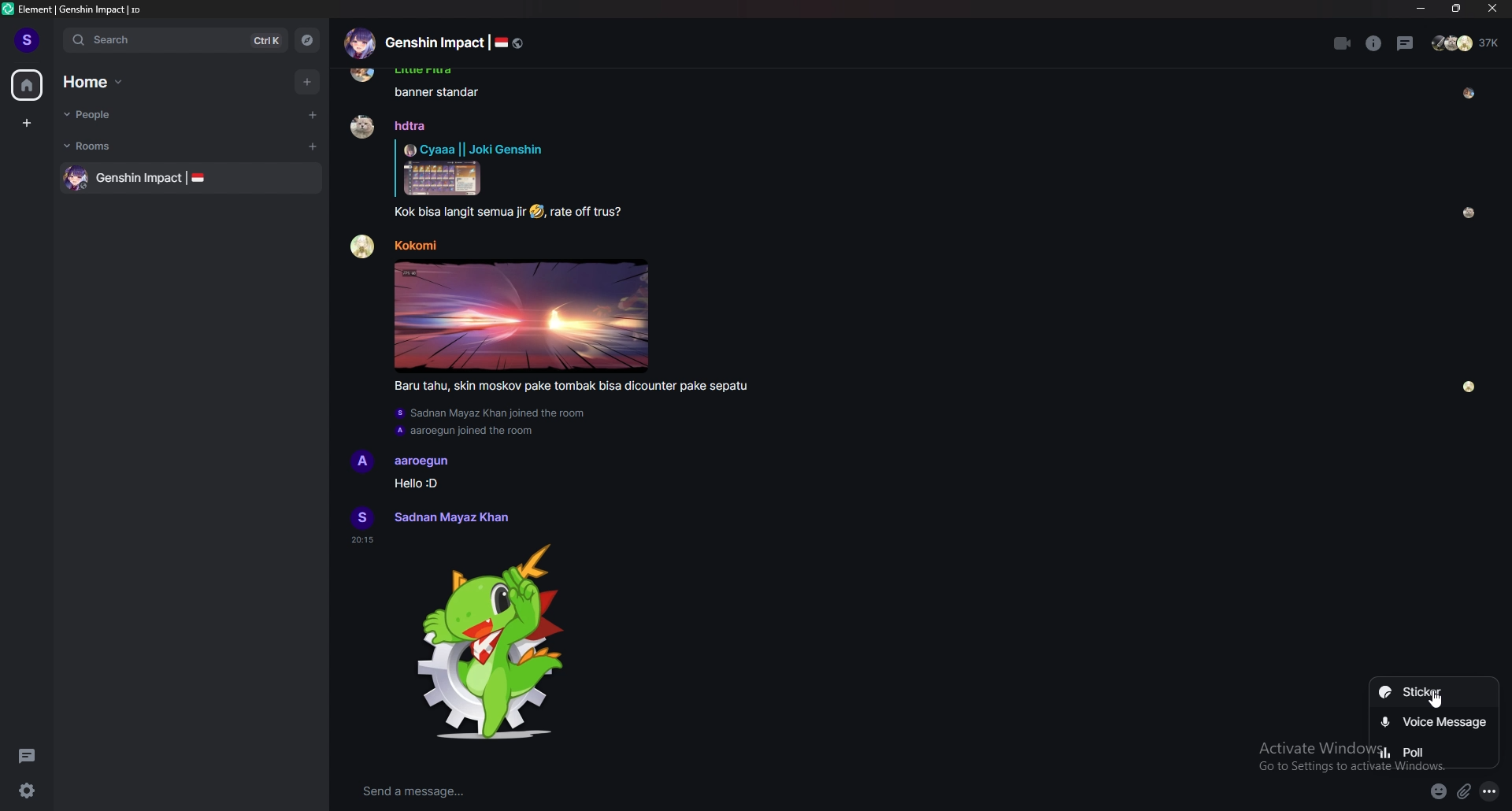  I want to click on Insert emoji, so click(1439, 791).